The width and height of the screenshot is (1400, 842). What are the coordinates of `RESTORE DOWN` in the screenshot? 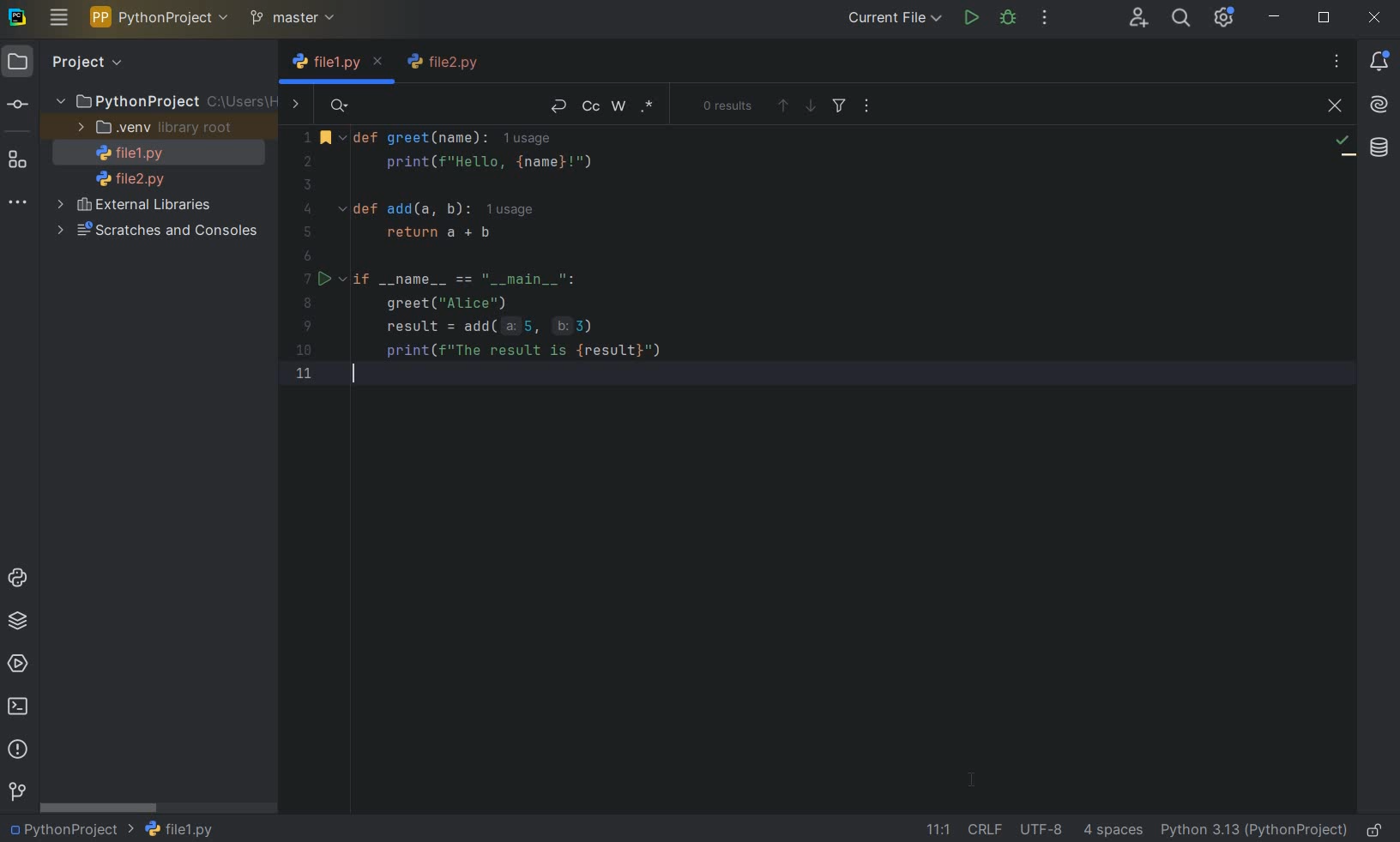 It's located at (1325, 20).